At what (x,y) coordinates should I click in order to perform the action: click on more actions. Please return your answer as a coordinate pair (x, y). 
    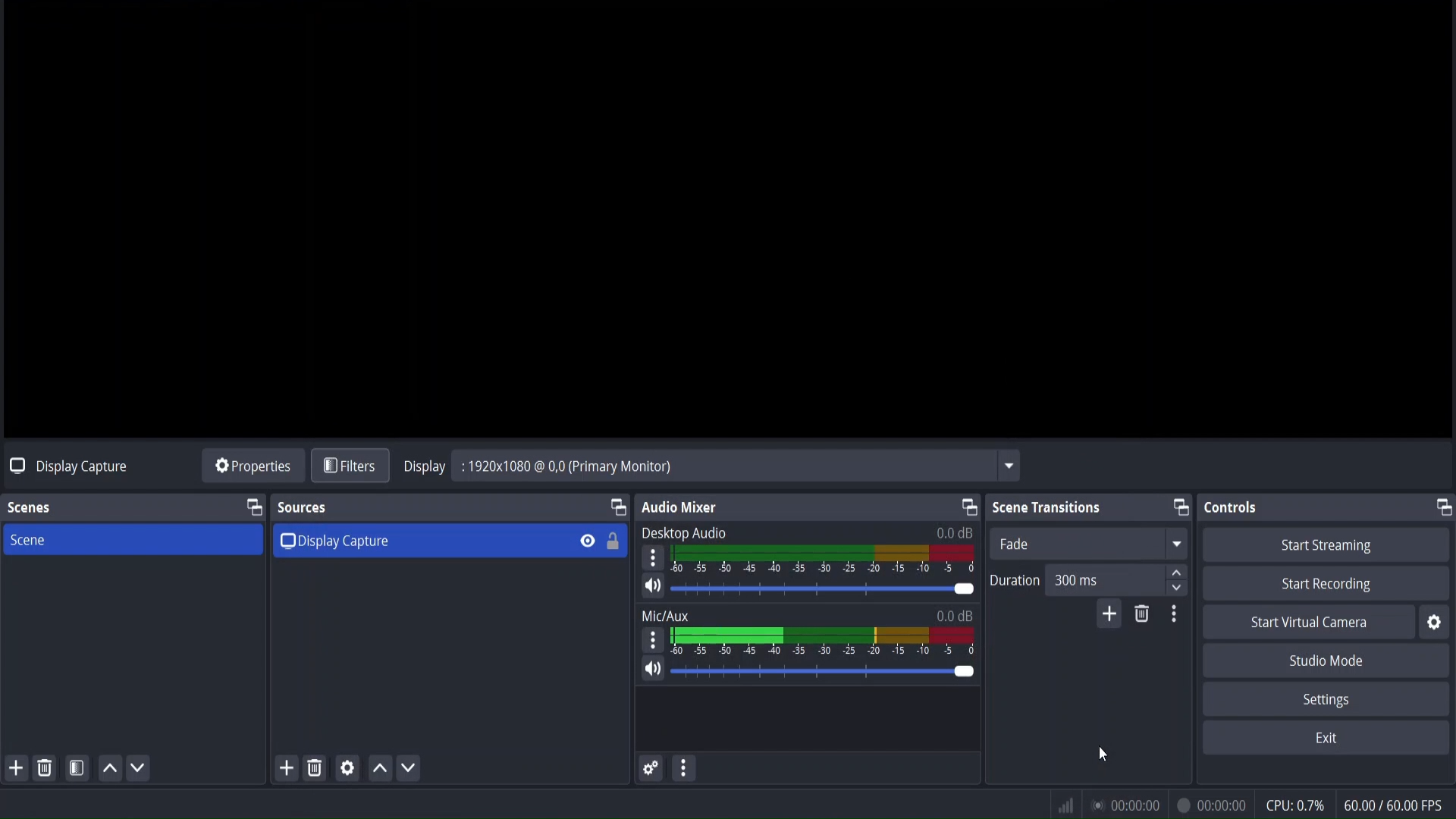
    Looking at the image, I should click on (686, 769).